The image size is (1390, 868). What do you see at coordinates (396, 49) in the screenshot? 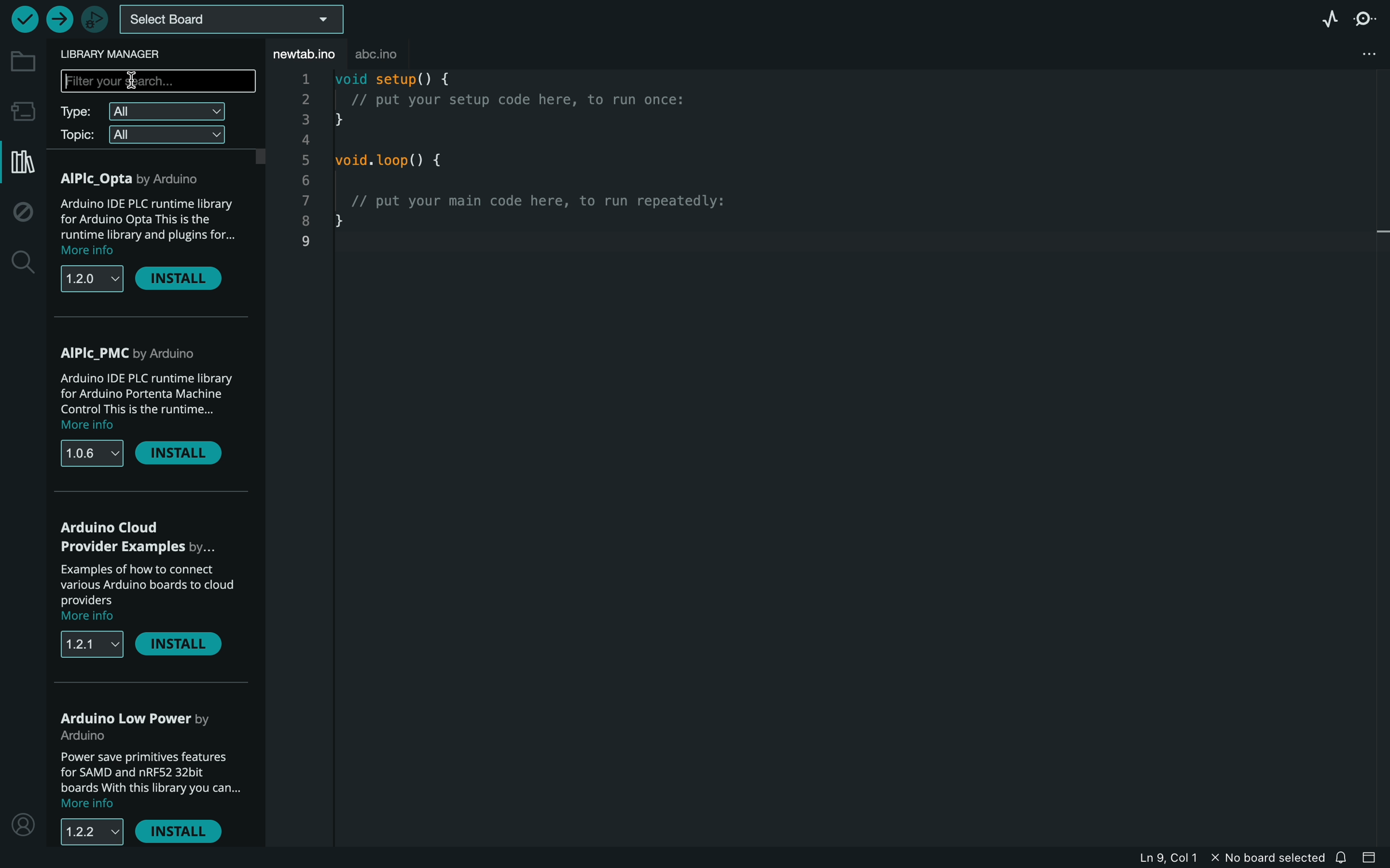
I see `abc` at bounding box center [396, 49].